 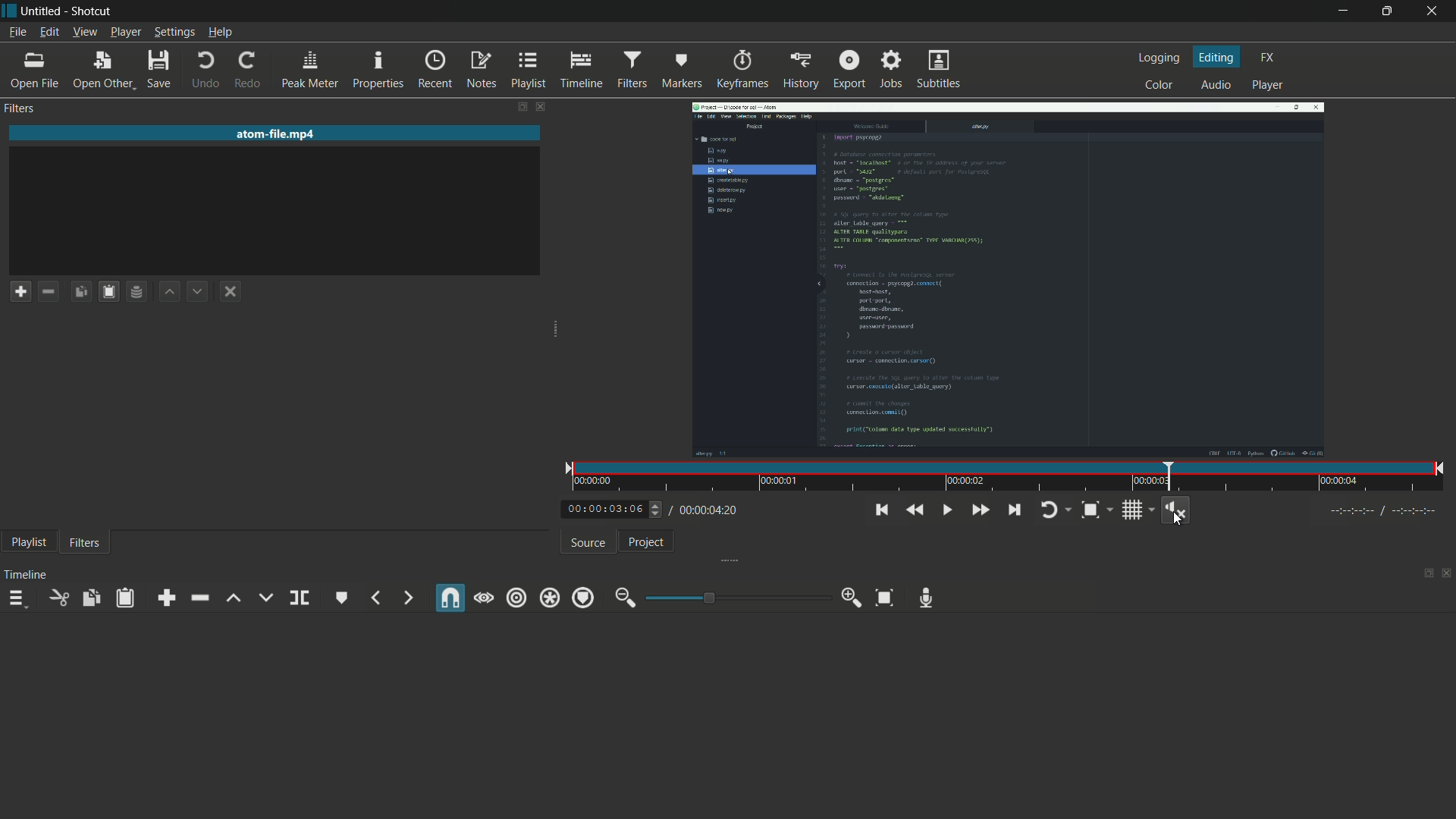 What do you see at coordinates (889, 71) in the screenshot?
I see `jobs` at bounding box center [889, 71].